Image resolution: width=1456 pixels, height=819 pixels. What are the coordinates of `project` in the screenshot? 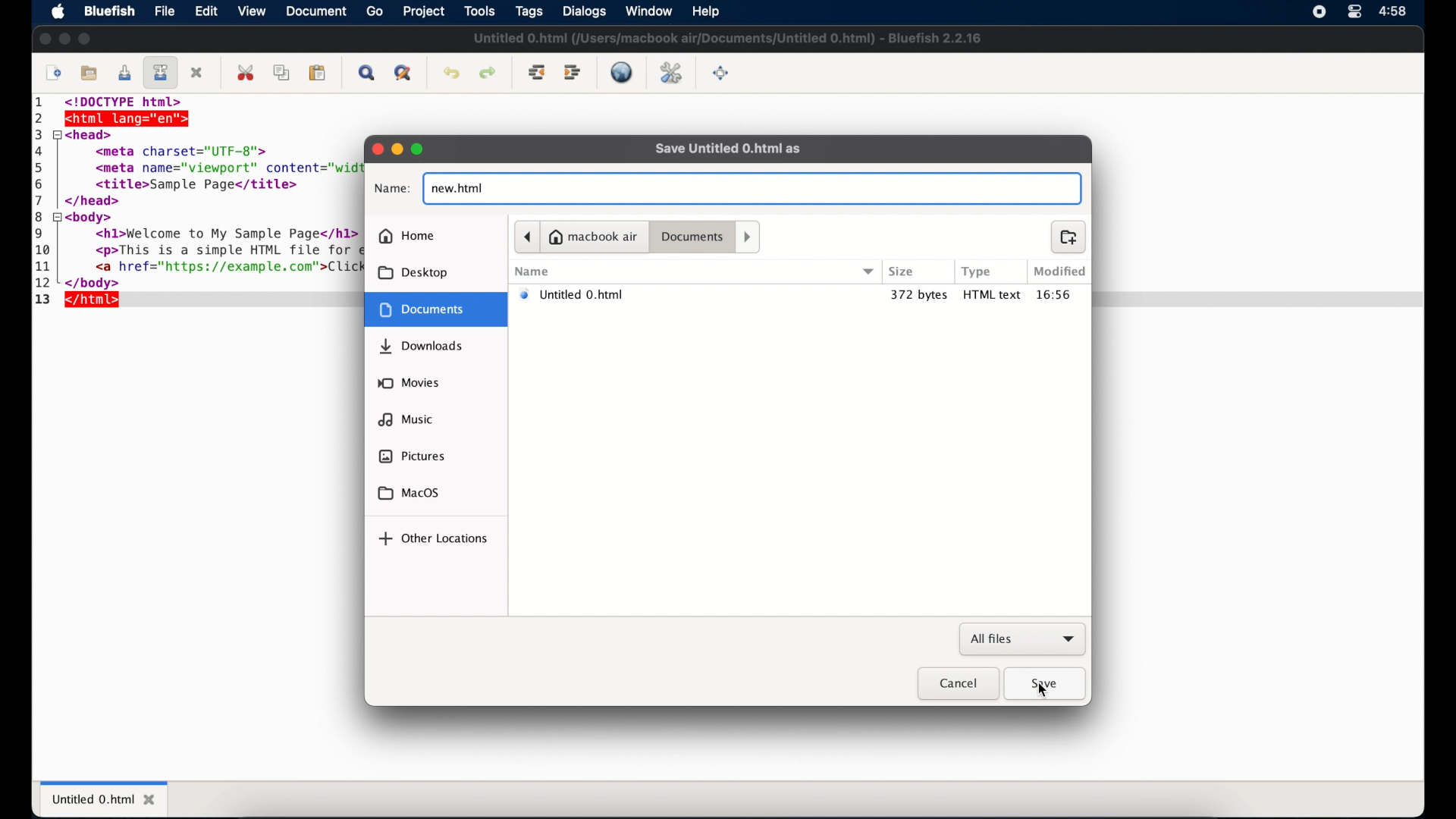 It's located at (425, 12).